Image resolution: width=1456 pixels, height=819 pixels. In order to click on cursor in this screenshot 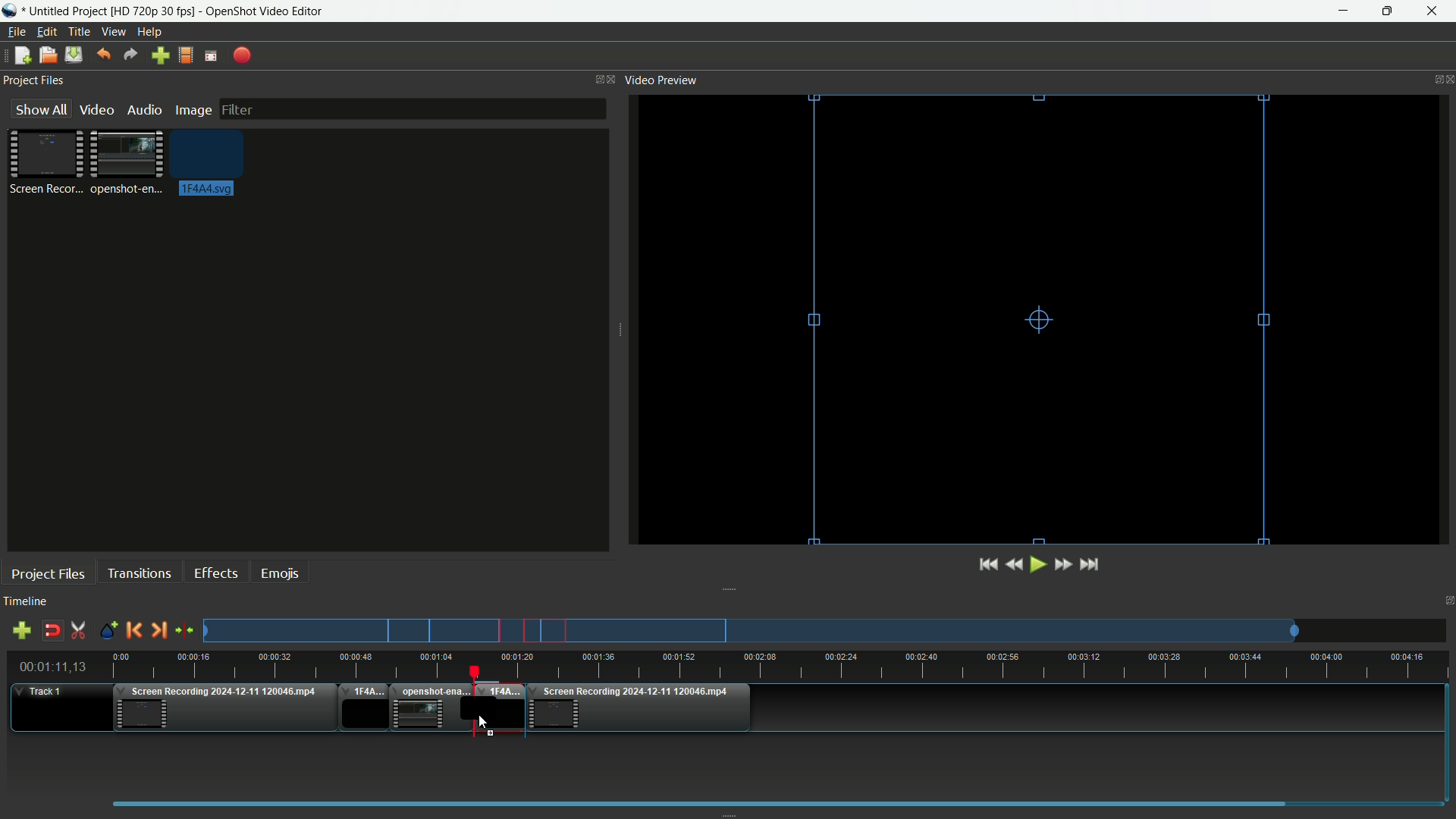, I will do `click(482, 726)`.